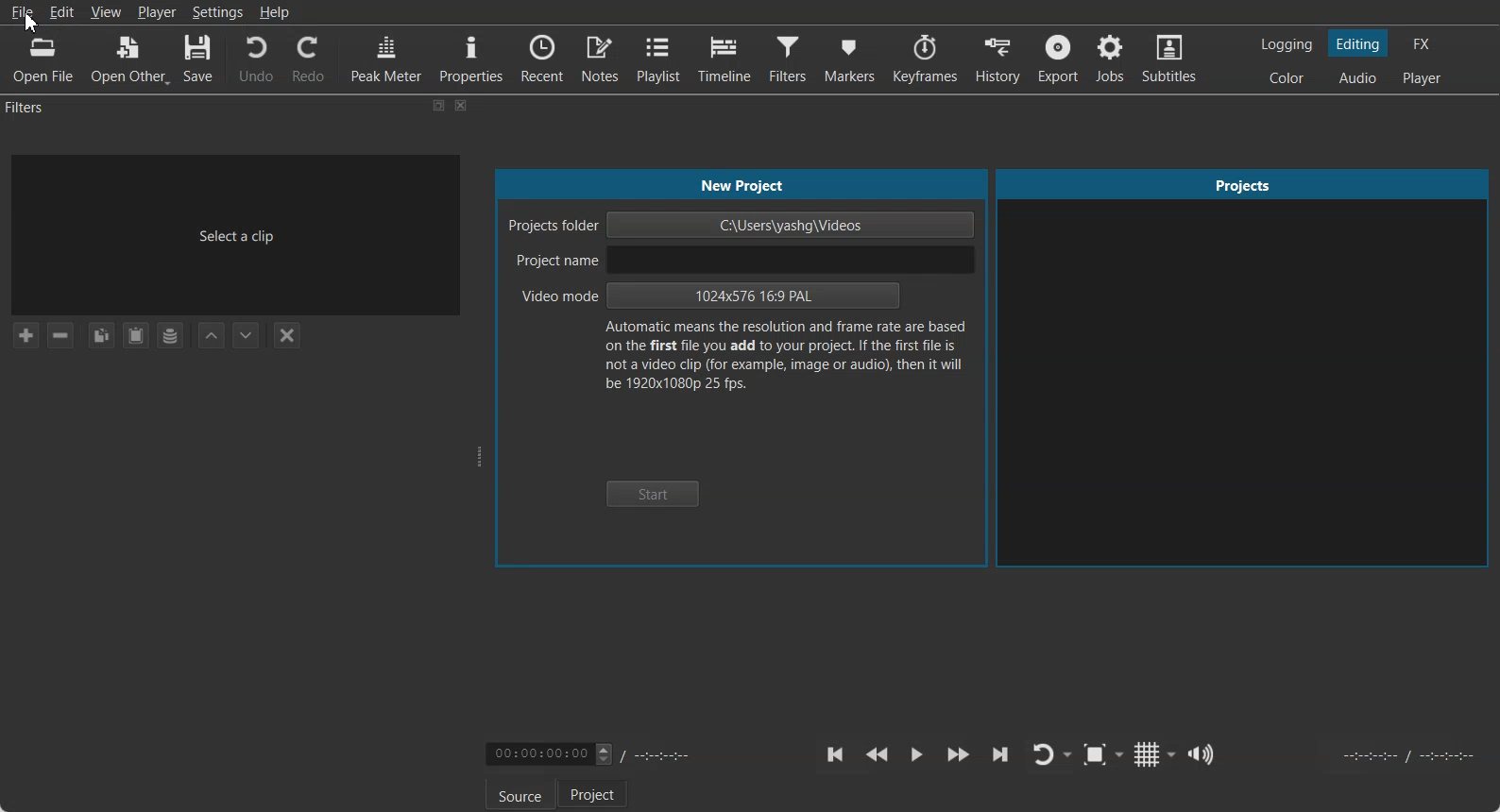 The image size is (1500, 812). What do you see at coordinates (601, 58) in the screenshot?
I see `Notes` at bounding box center [601, 58].